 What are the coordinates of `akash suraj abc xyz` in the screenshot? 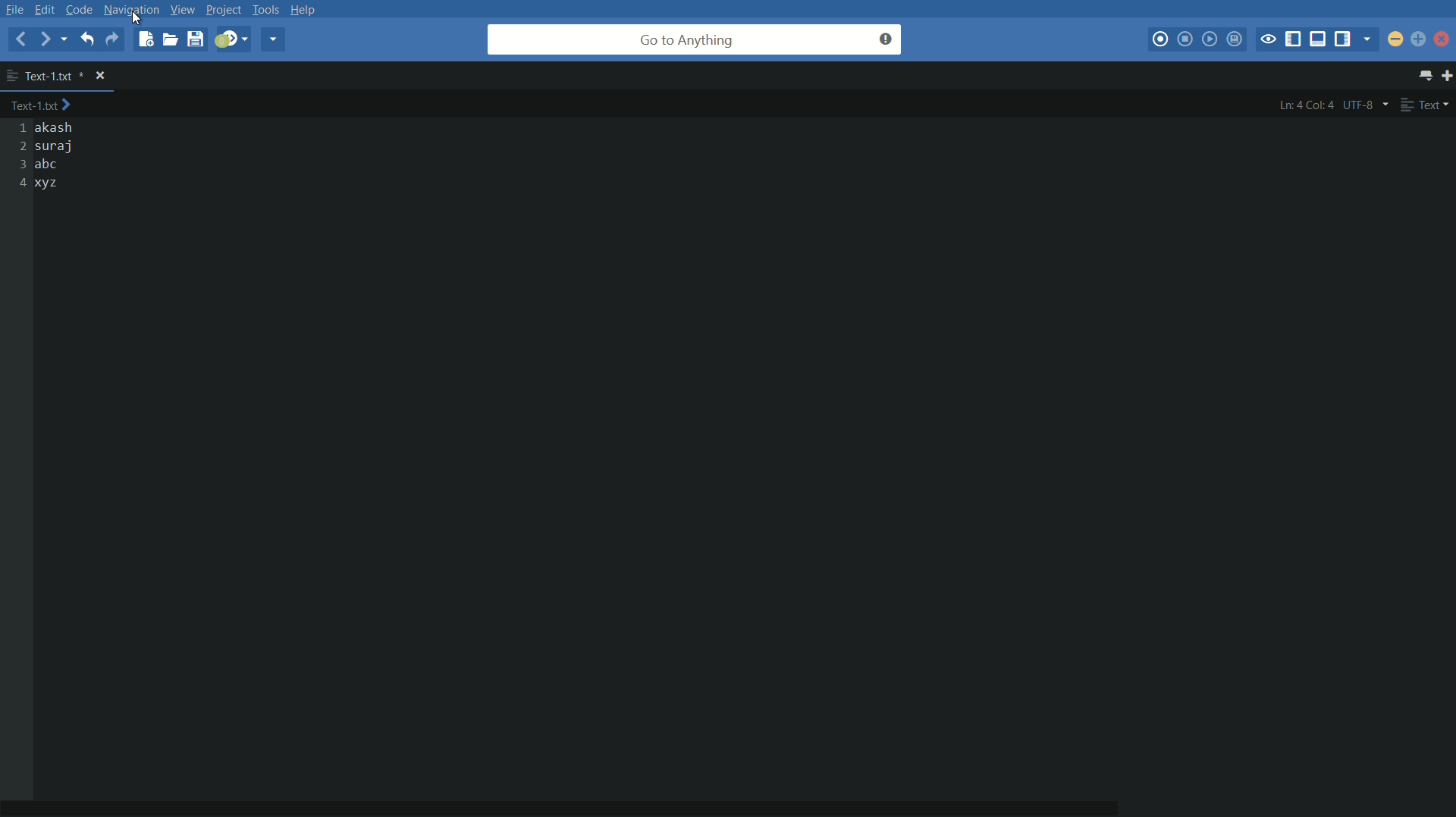 It's located at (60, 157).